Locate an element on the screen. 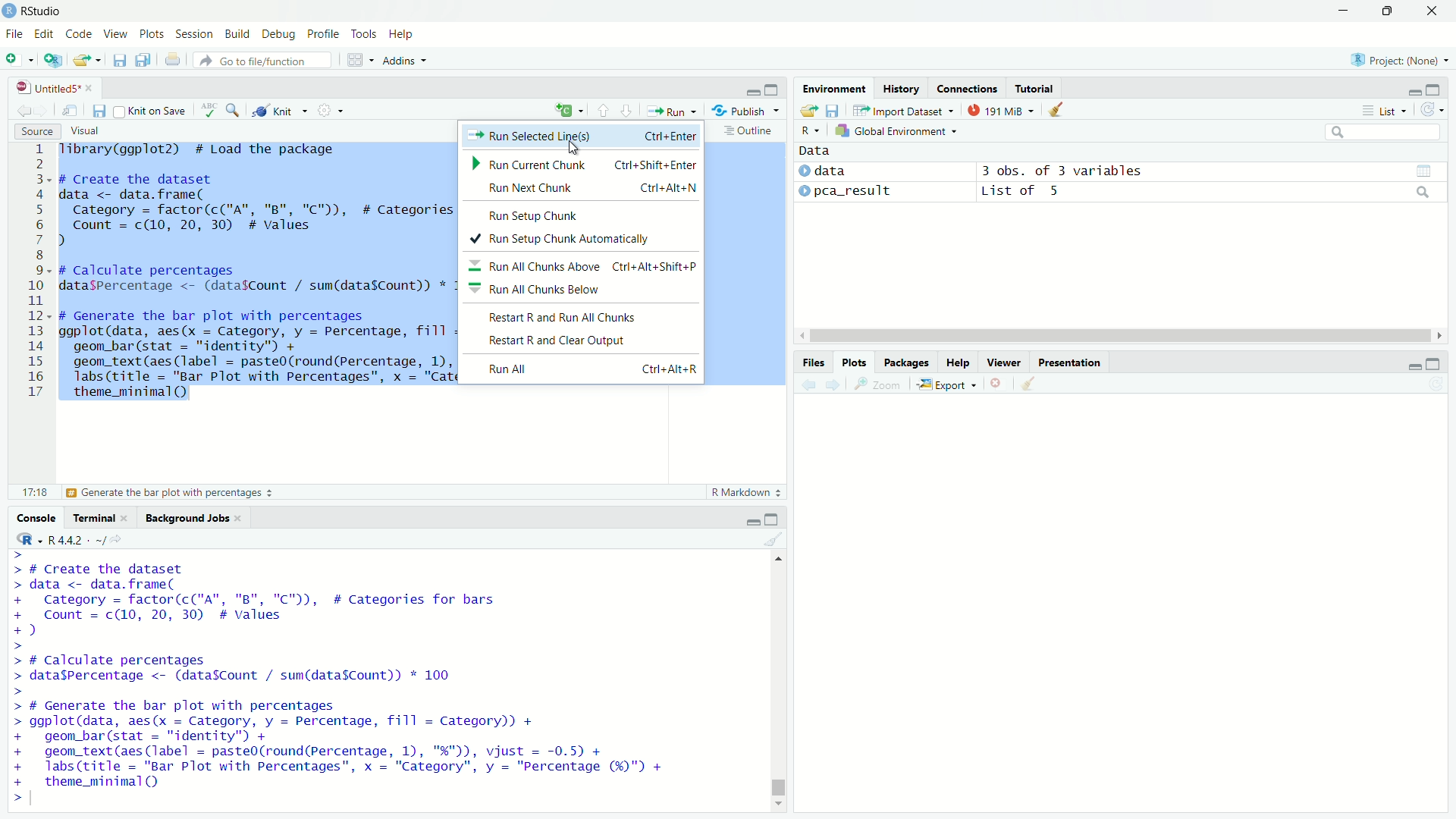  find and repace is located at coordinates (234, 110).